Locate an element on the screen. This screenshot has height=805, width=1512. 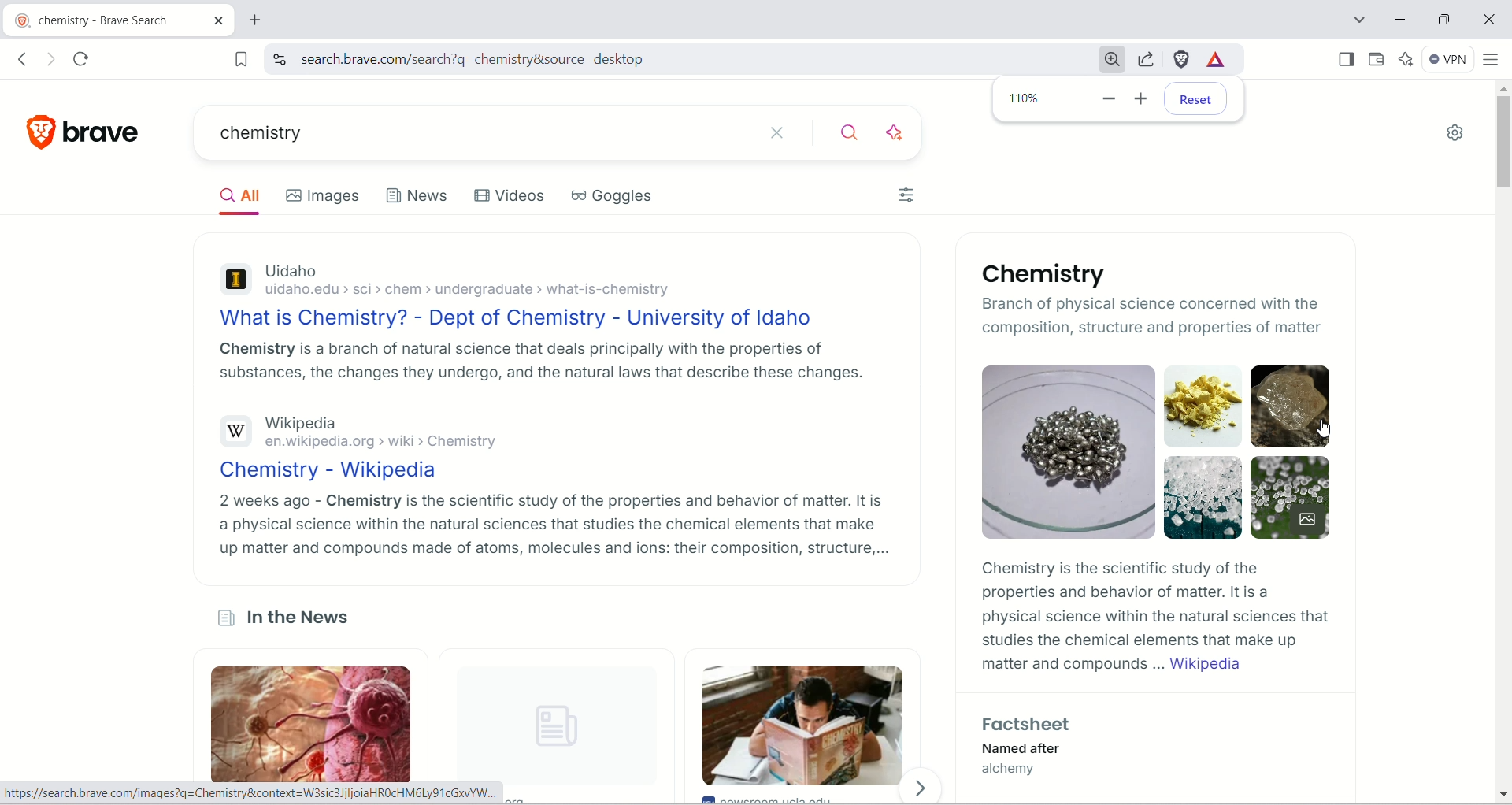
settings is located at coordinates (1458, 132).